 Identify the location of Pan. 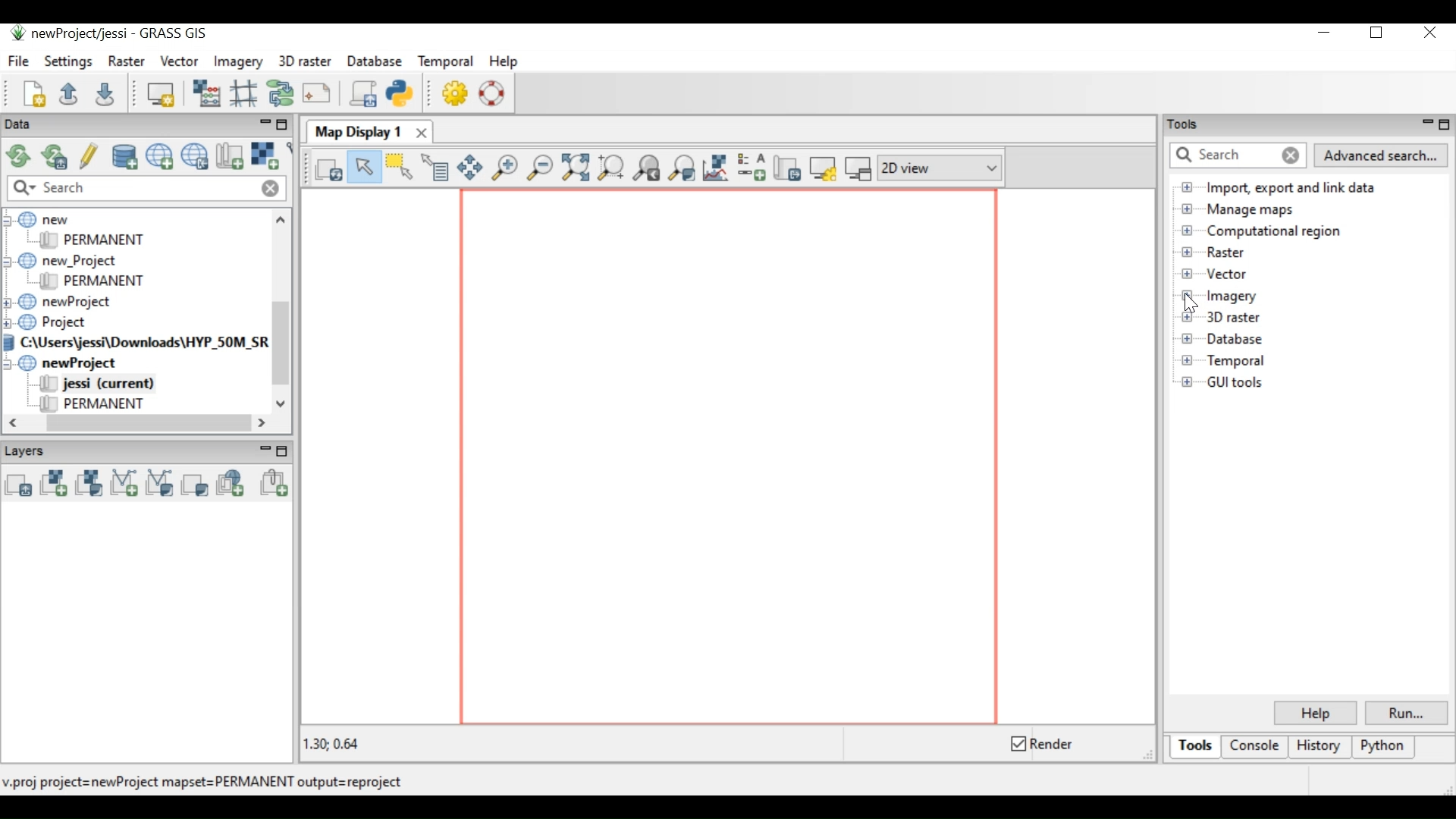
(468, 168).